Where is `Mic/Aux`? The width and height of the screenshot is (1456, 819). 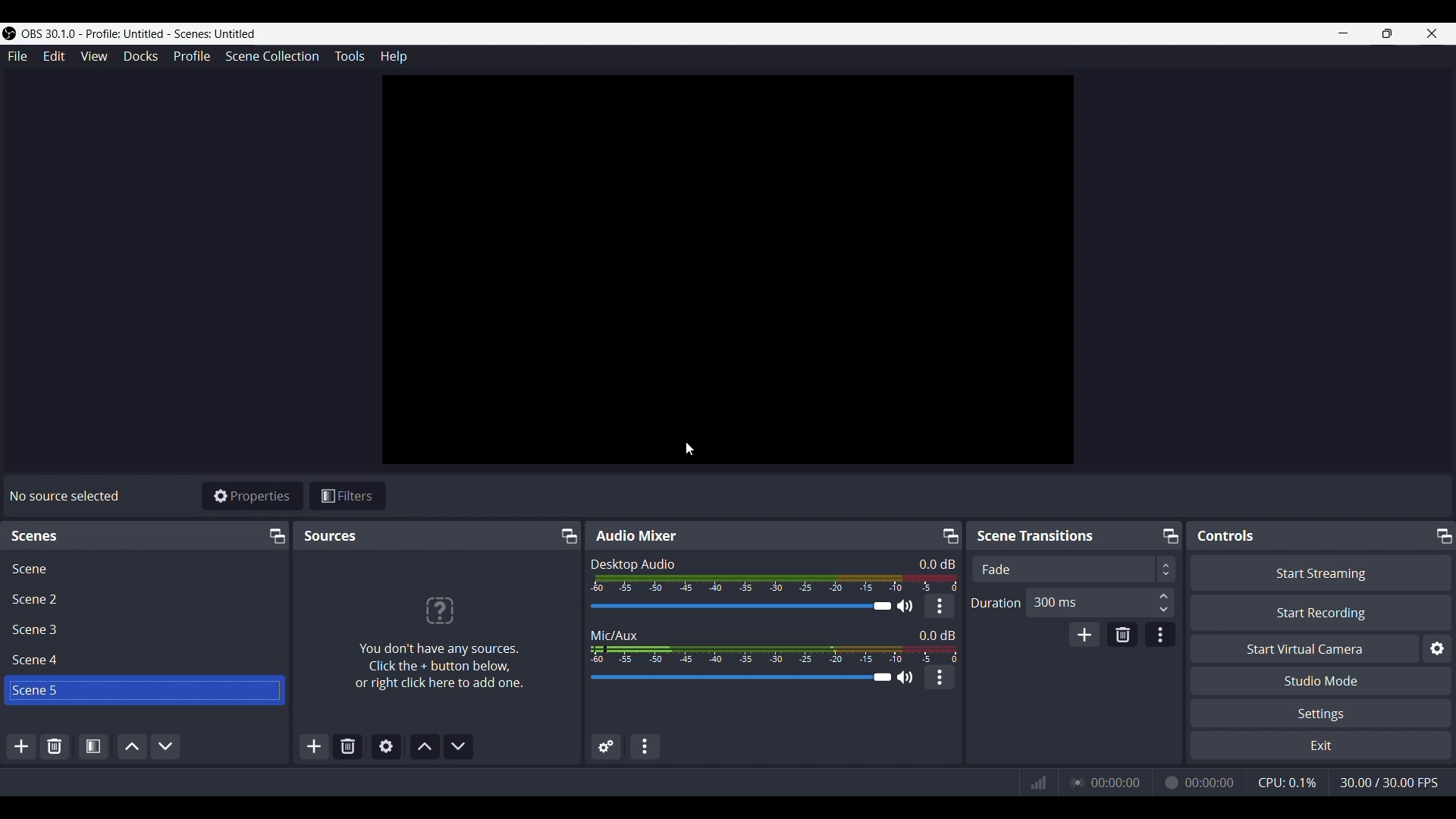
Mic/Aux is located at coordinates (616, 632).